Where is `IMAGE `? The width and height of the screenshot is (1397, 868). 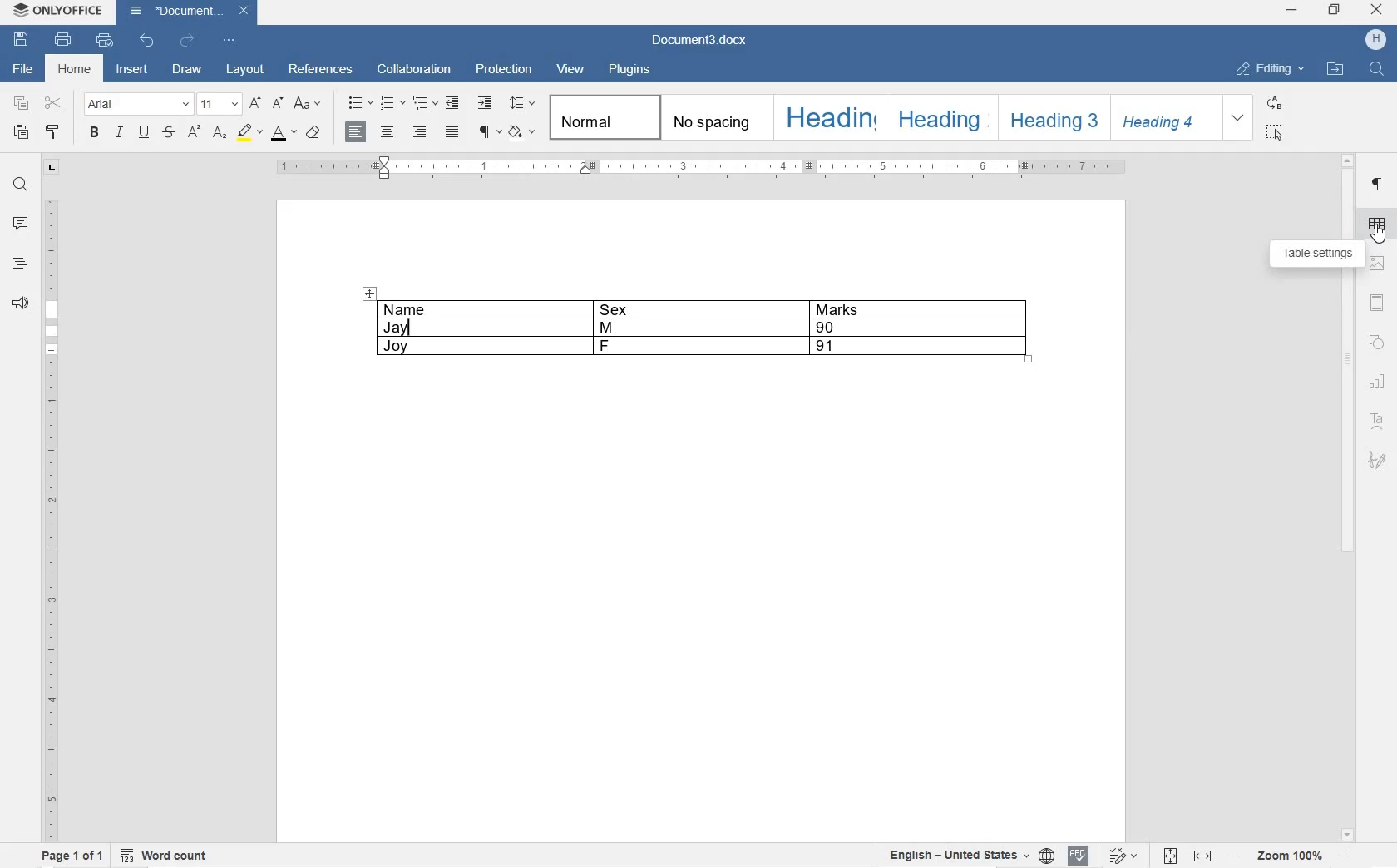
IMAGE  is located at coordinates (1375, 264).